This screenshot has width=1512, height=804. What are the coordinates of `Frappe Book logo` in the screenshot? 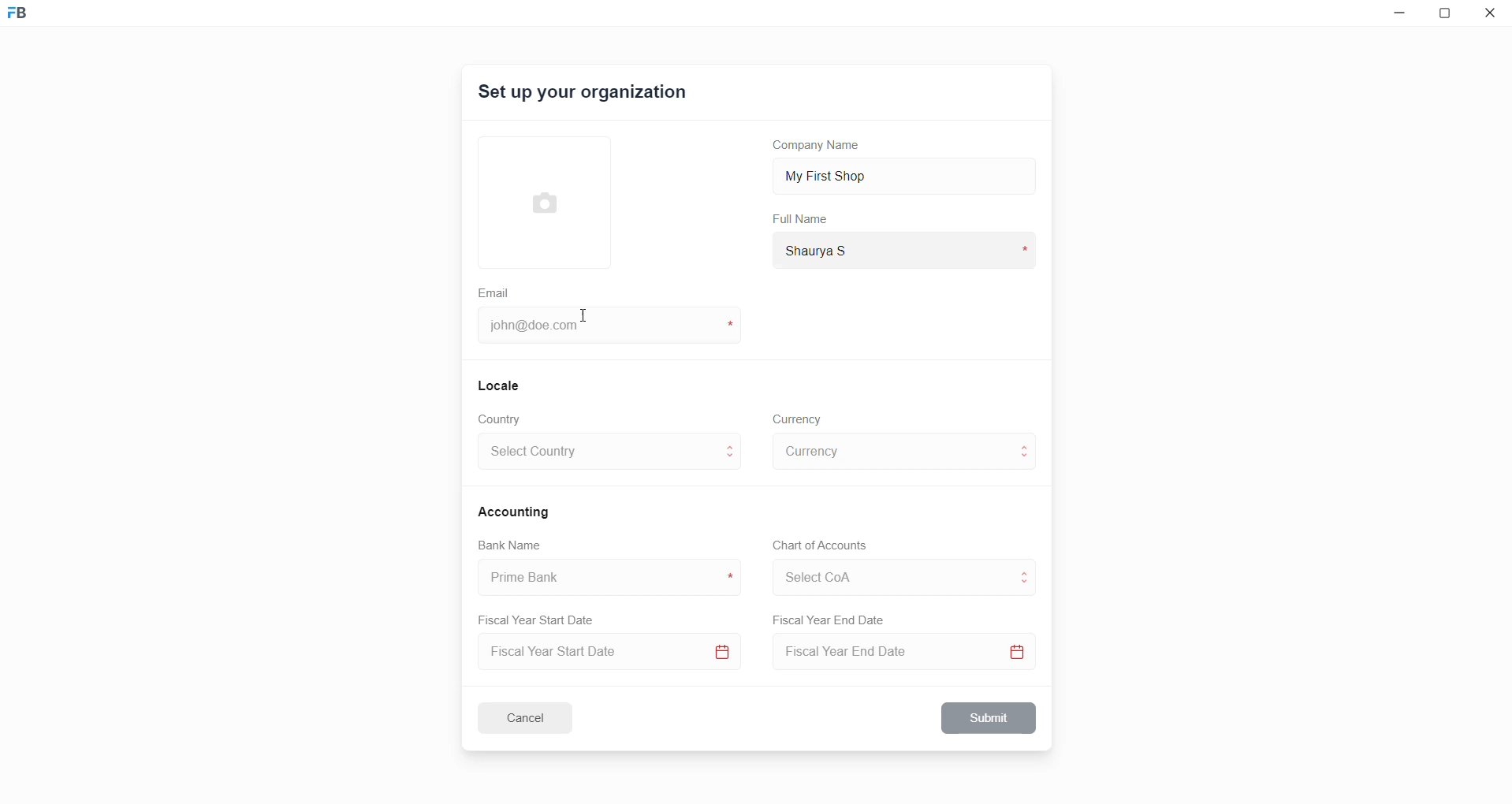 It's located at (31, 20).